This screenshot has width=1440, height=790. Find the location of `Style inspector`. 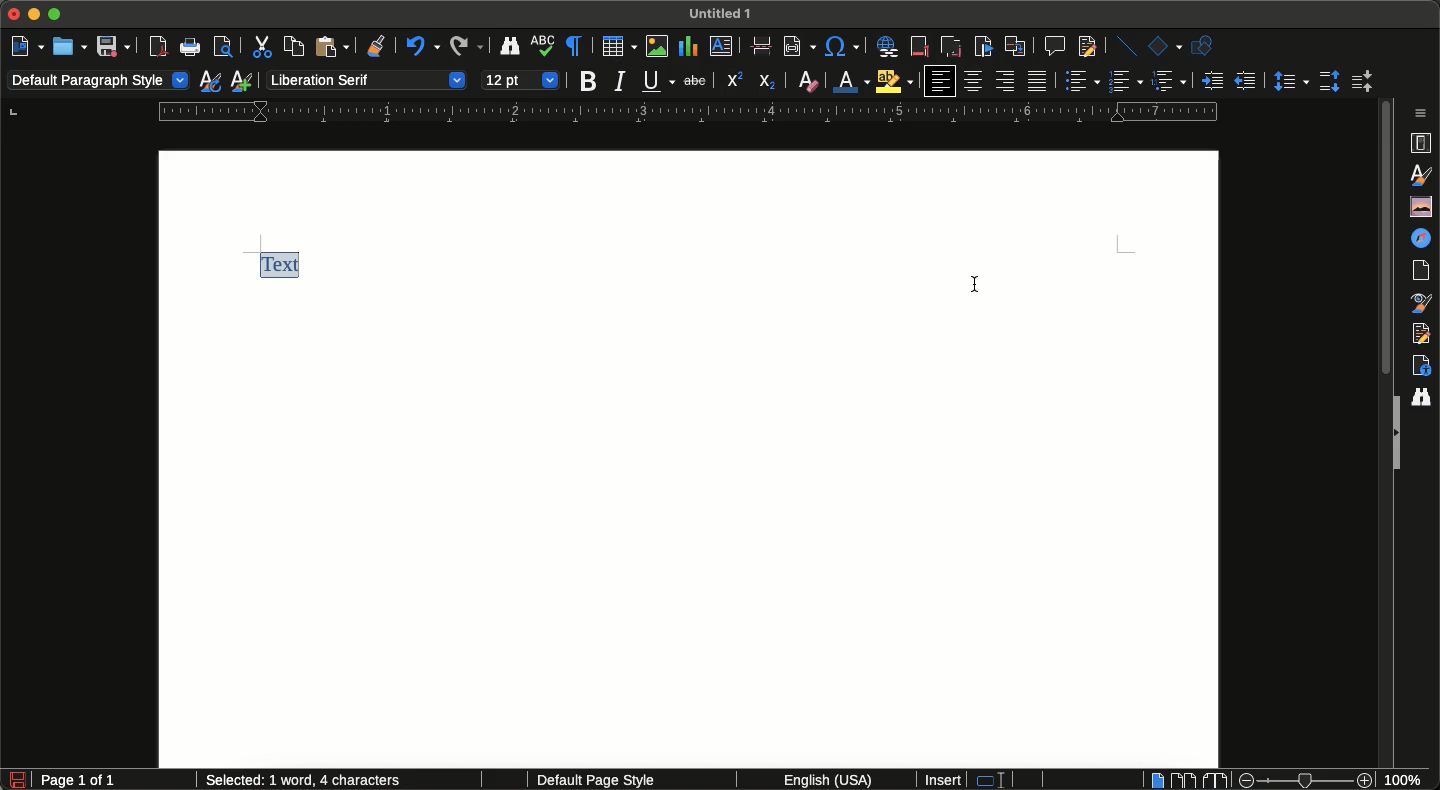

Style inspector is located at coordinates (1423, 303).